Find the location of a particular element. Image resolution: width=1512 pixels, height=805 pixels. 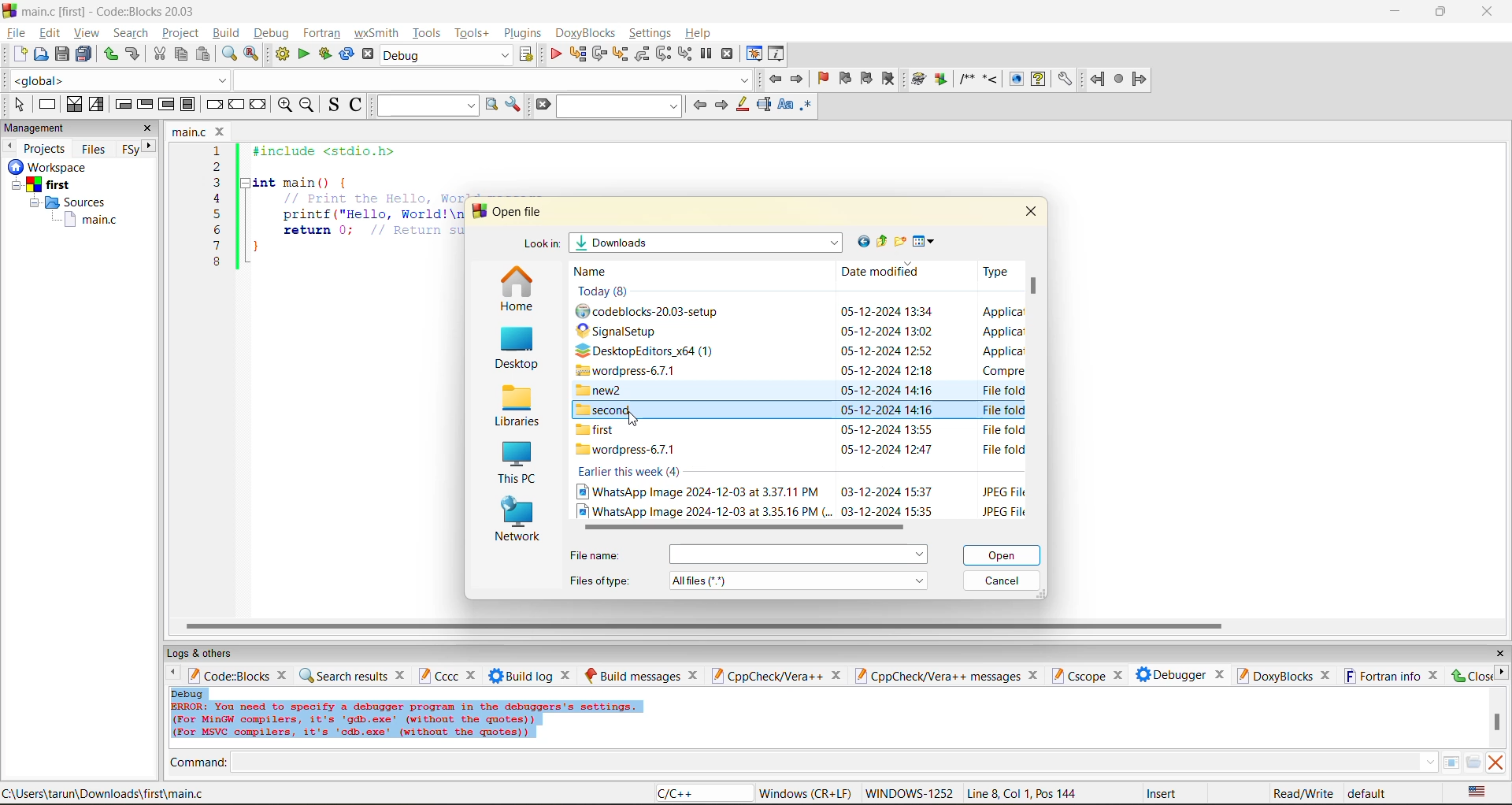

home is located at coordinates (517, 290).